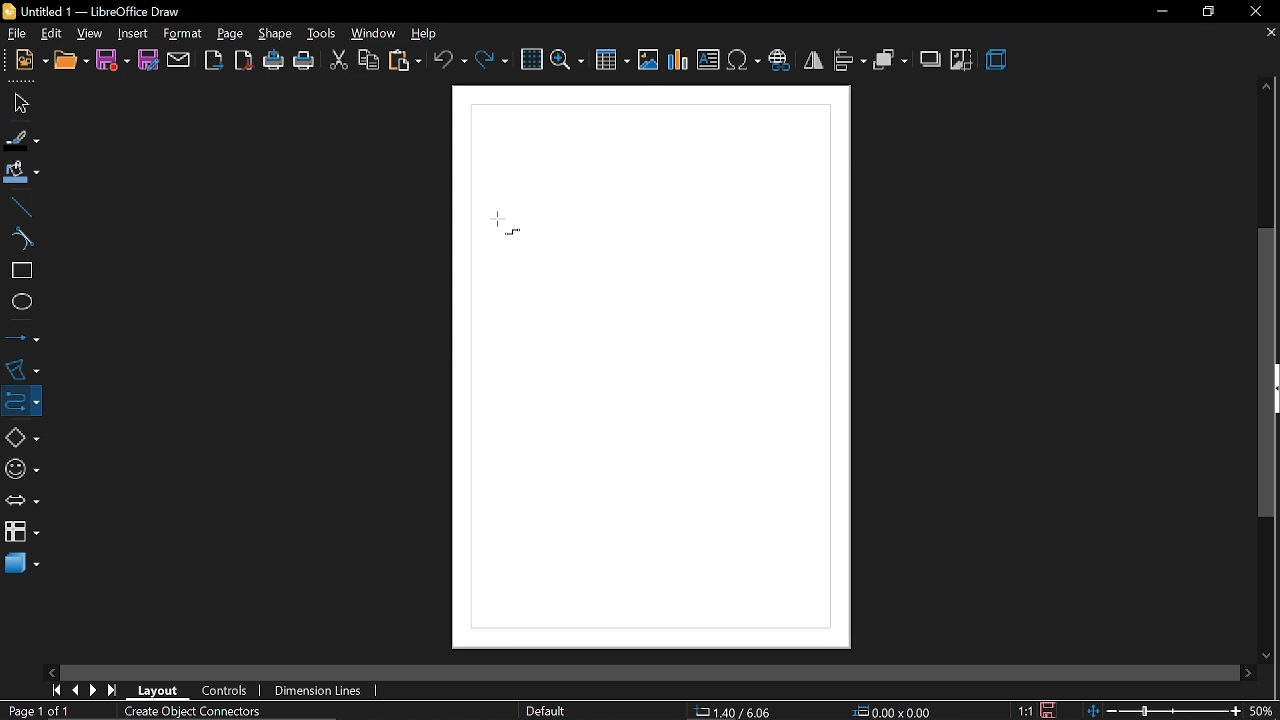 The image size is (1280, 720). What do you see at coordinates (23, 138) in the screenshot?
I see `fill line` at bounding box center [23, 138].